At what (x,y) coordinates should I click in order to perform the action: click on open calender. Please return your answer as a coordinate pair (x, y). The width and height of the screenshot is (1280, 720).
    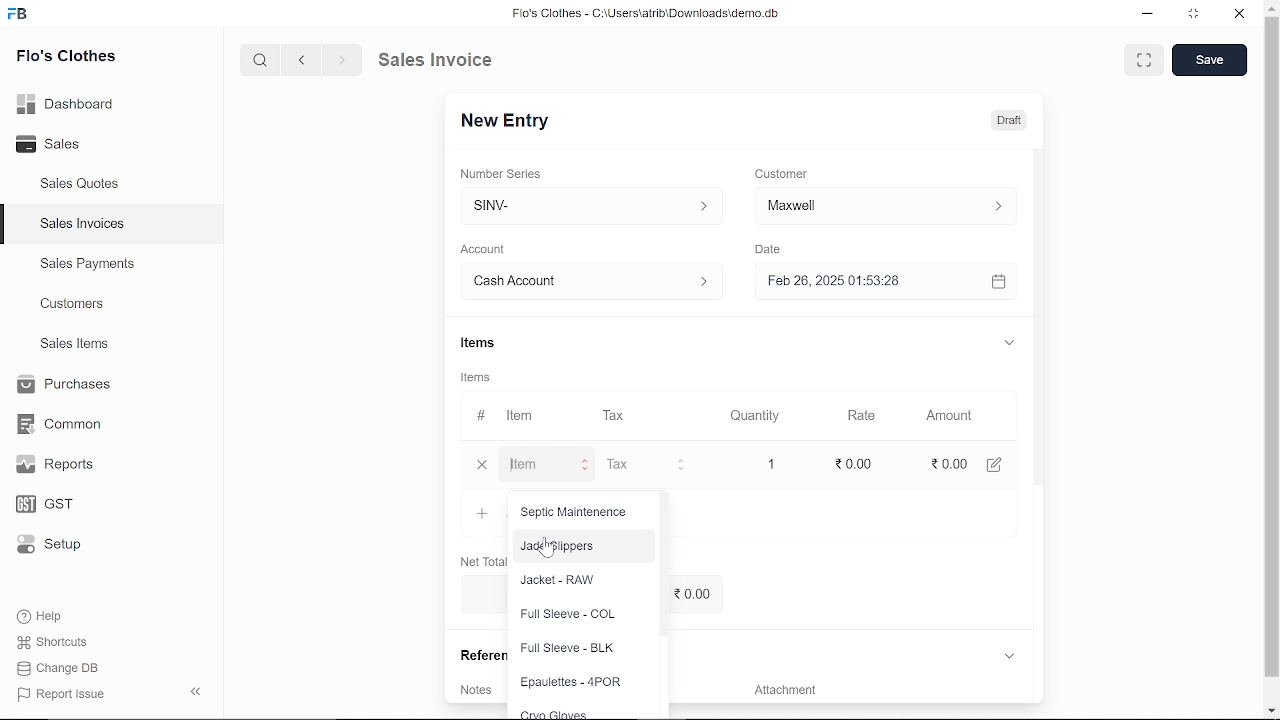
    Looking at the image, I should click on (1006, 281).